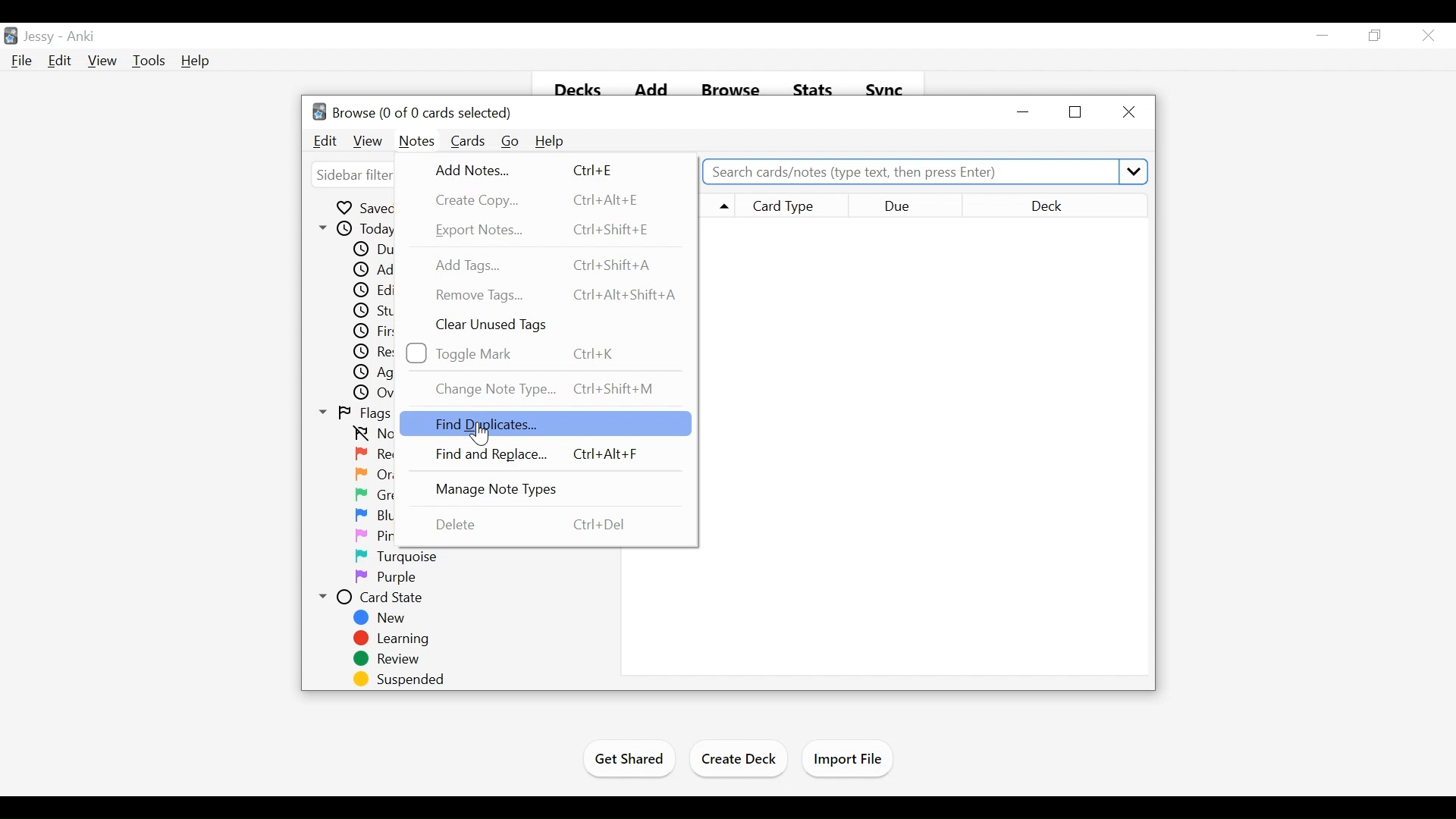 The width and height of the screenshot is (1456, 819). What do you see at coordinates (510, 142) in the screenshot?
I see `Go` at bounding box center [510, 142].